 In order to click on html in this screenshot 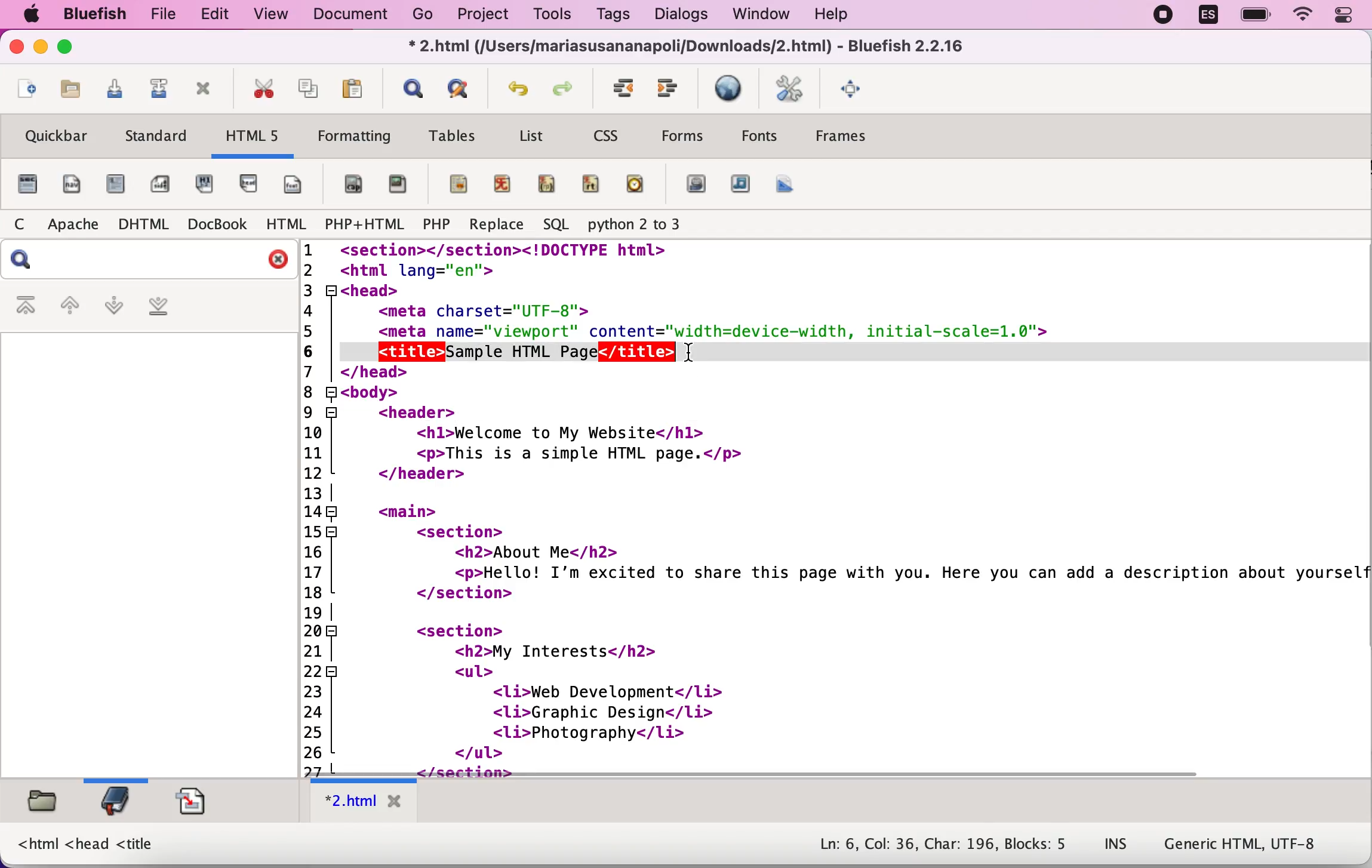, I will do `click(286, 225)`.